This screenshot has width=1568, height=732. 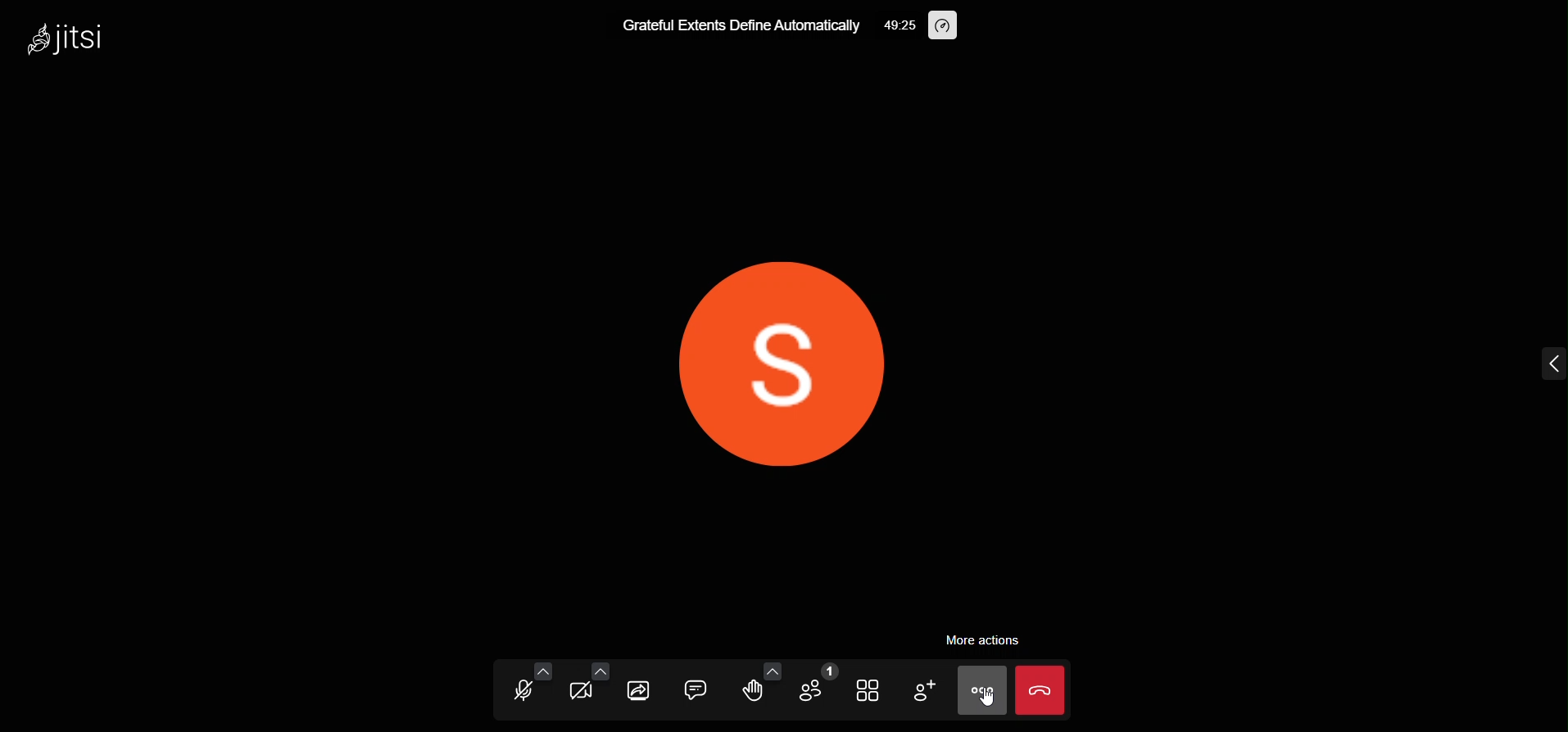 What do you see at coordinates (600, 666) in the screenshot?
I see `video setting` at bounding box center [600, 666].